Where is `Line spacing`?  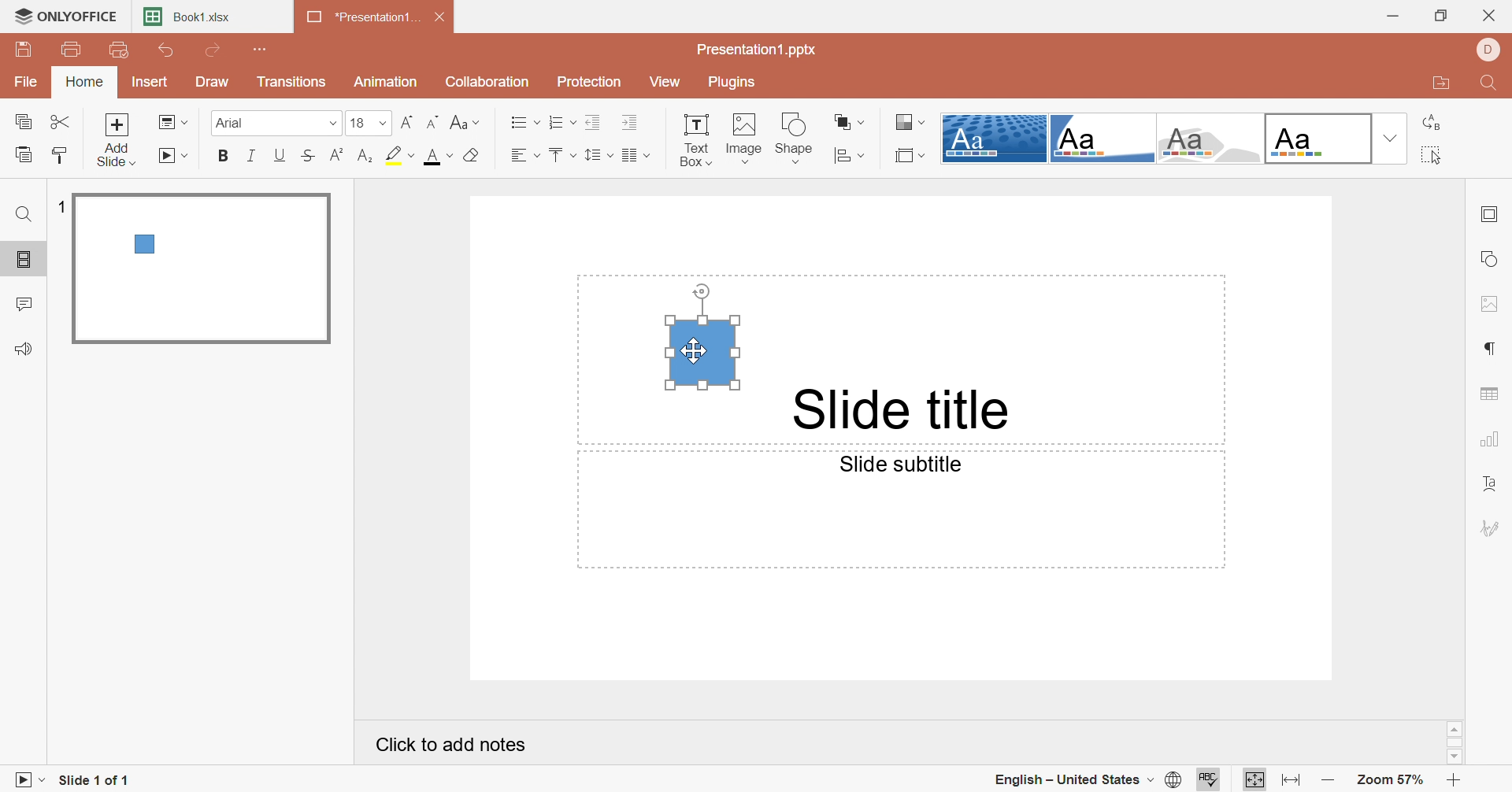 Line spacing is located at coordinates (596, 151).